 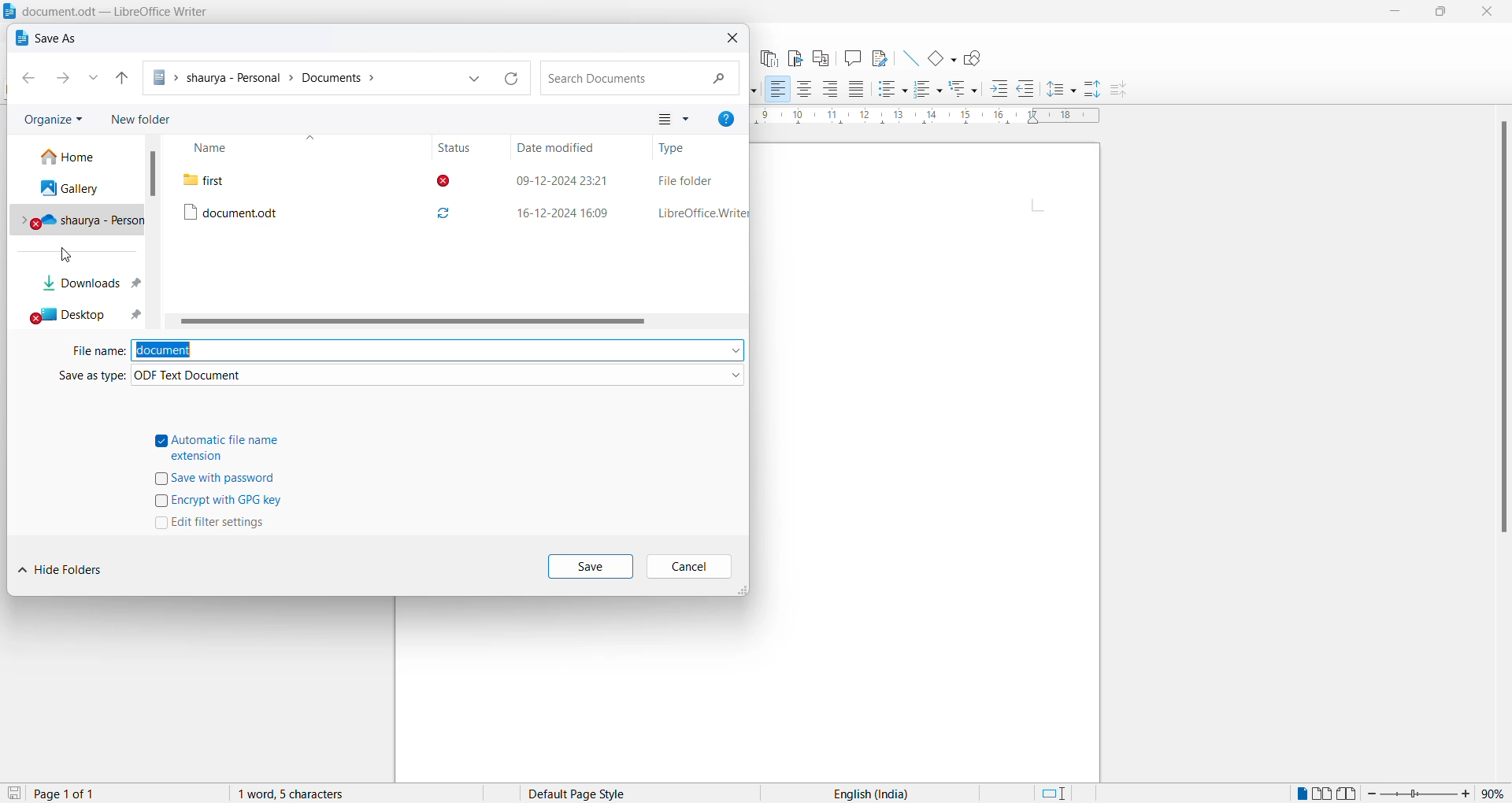 What do you see at coordinates (79, 380) in the screenshot?
I see `save as type` at bounding box center [79, 380].